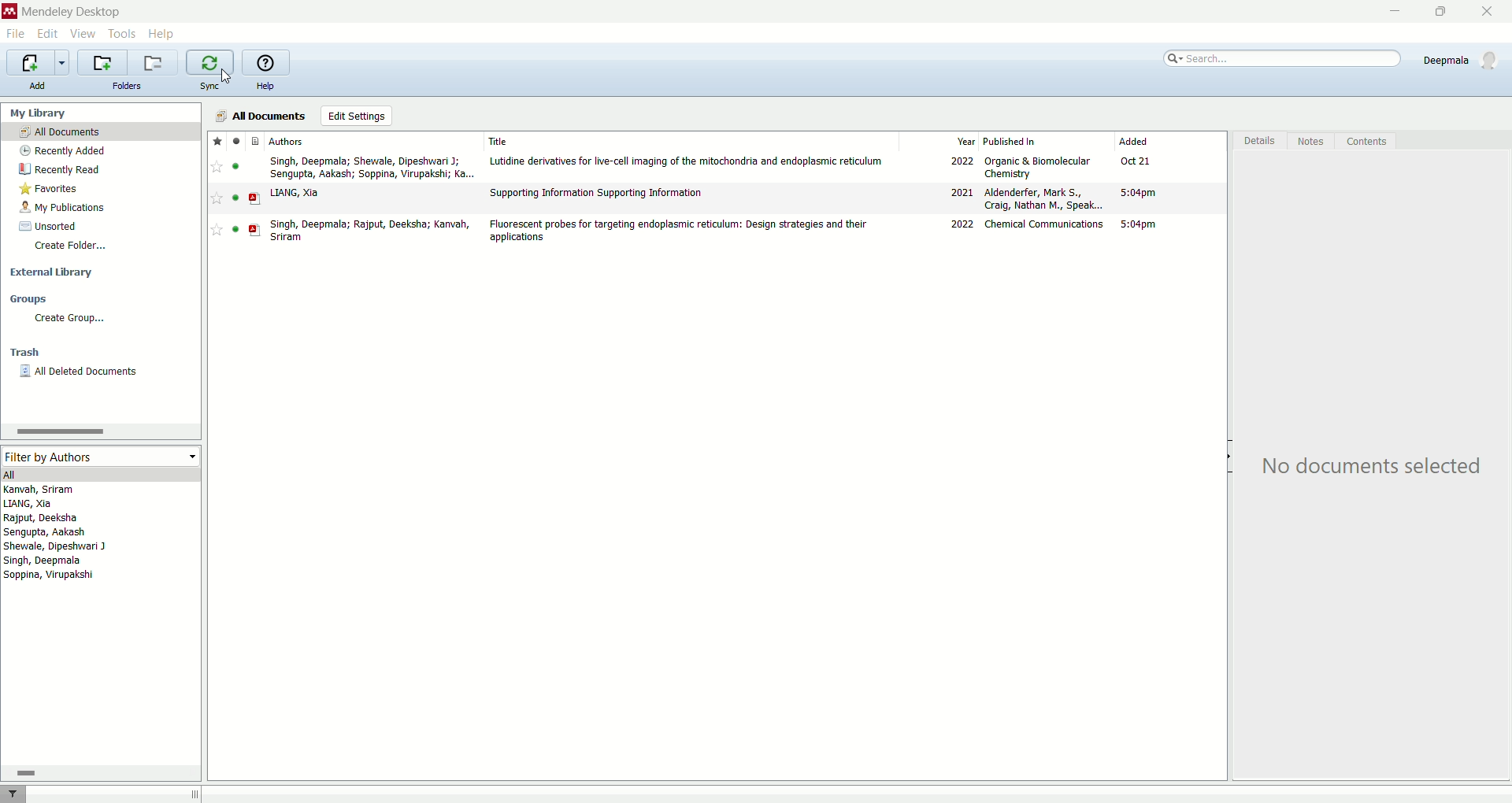  I want to click on Add to favorite, so click(217, 166).